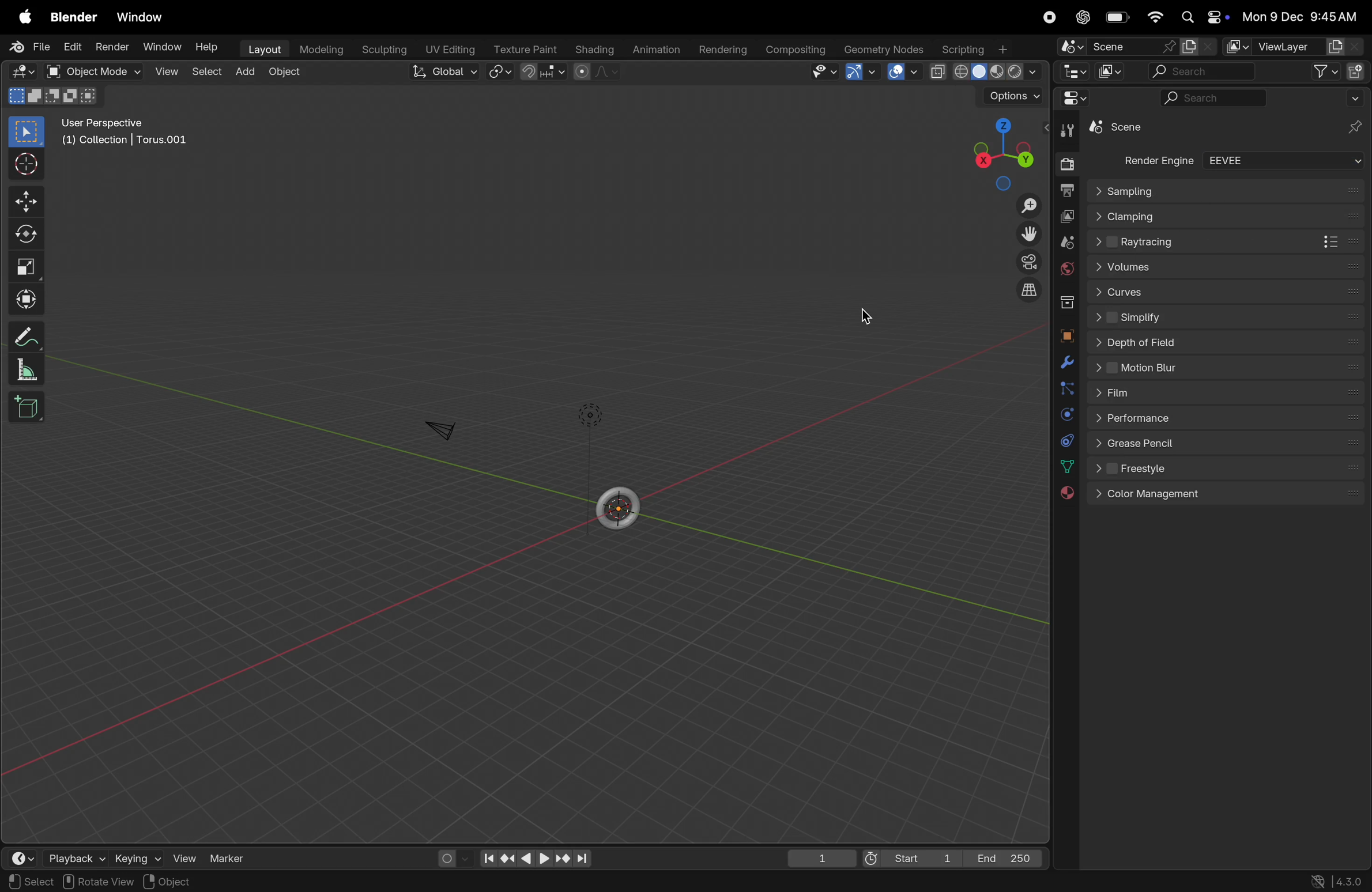 This screenshot has height=892, width=1372. I want to click on object mode, so click(95, 72).